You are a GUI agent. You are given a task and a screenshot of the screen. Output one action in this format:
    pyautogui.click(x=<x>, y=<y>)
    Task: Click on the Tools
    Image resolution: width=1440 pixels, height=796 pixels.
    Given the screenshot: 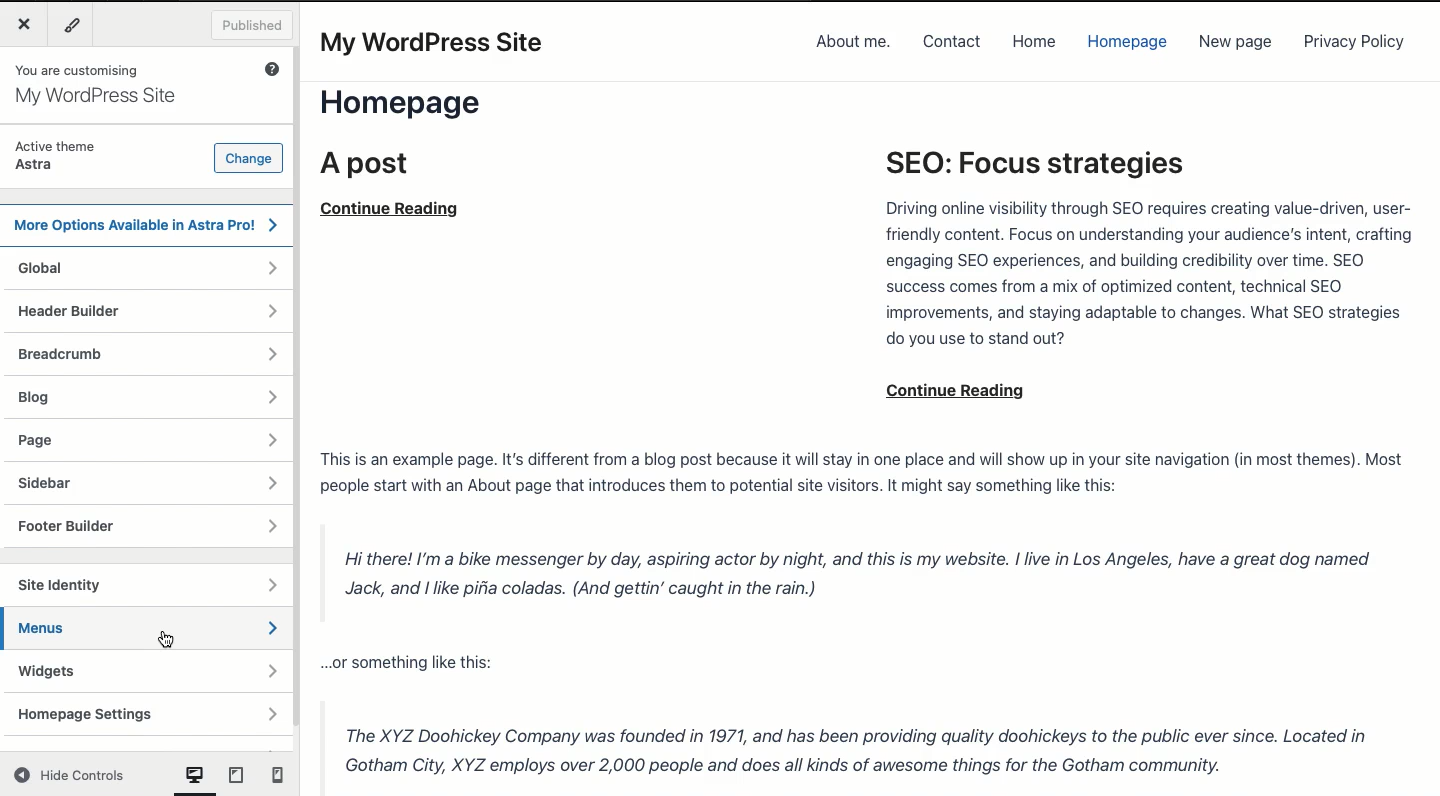 What is the action you would take?
    pyautogui.click(x=74, y=27)
    